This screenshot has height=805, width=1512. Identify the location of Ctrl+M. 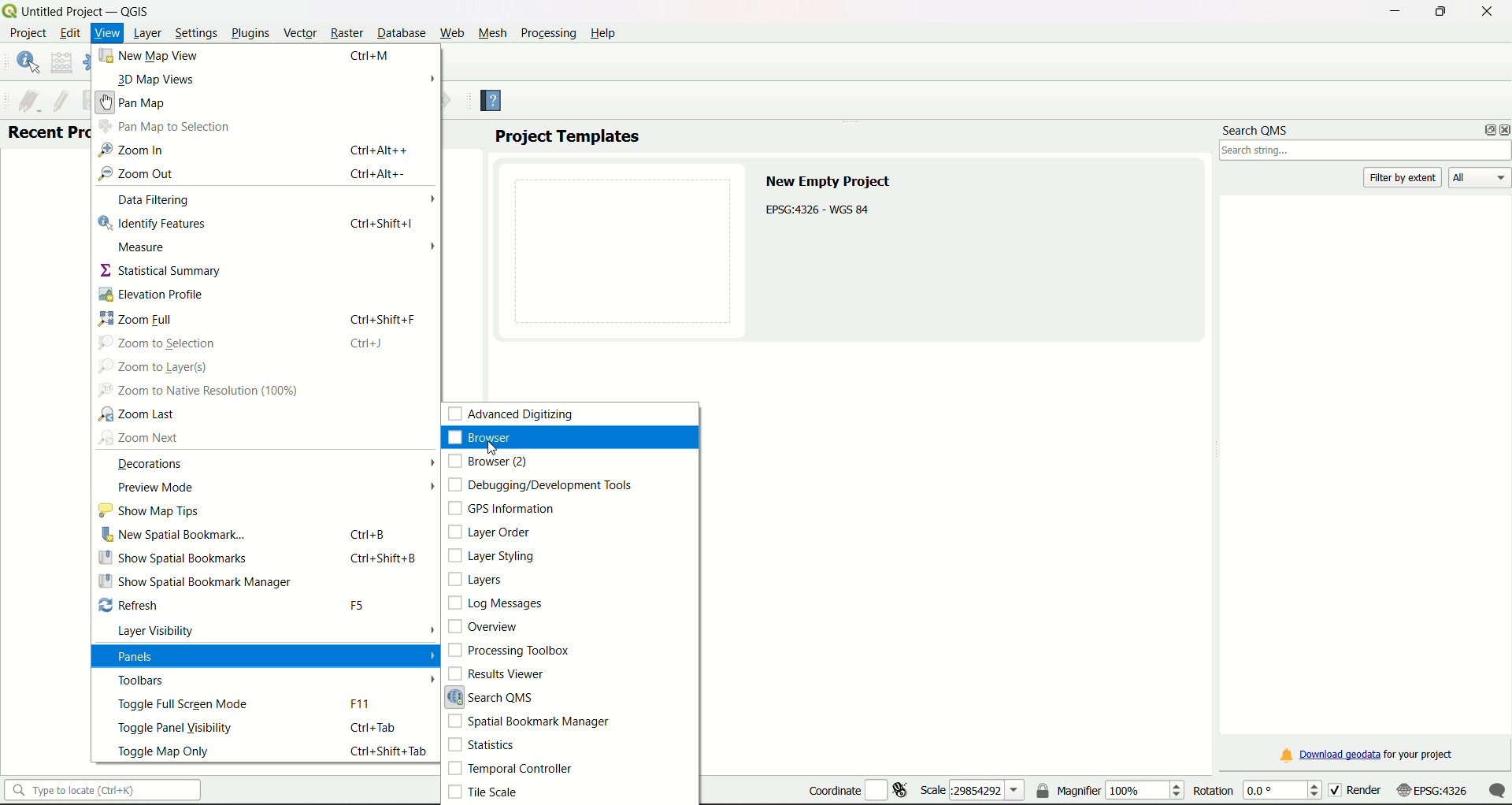
(372, 55).